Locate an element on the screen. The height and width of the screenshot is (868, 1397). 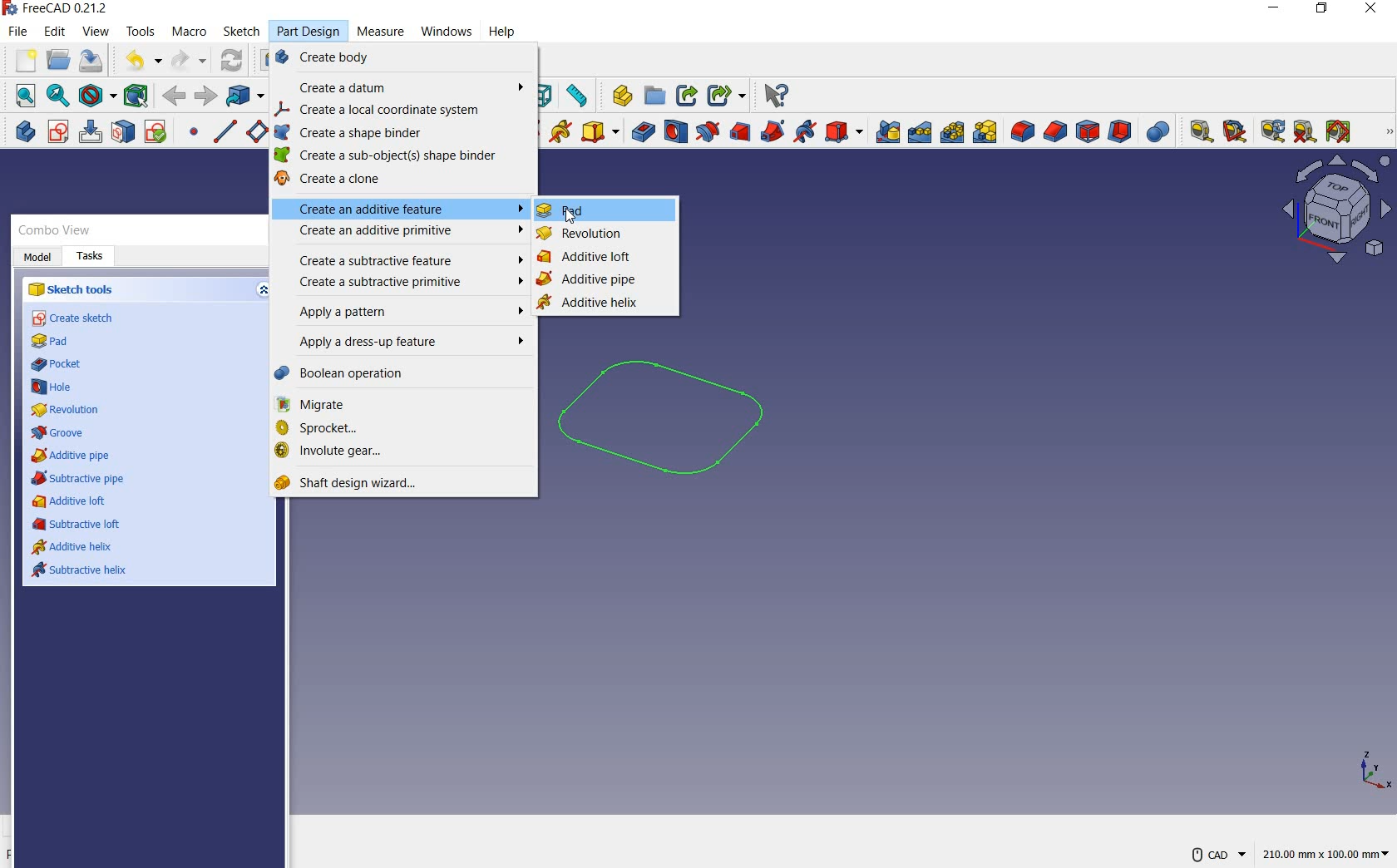
pocket is located at coordinates (62, 367).